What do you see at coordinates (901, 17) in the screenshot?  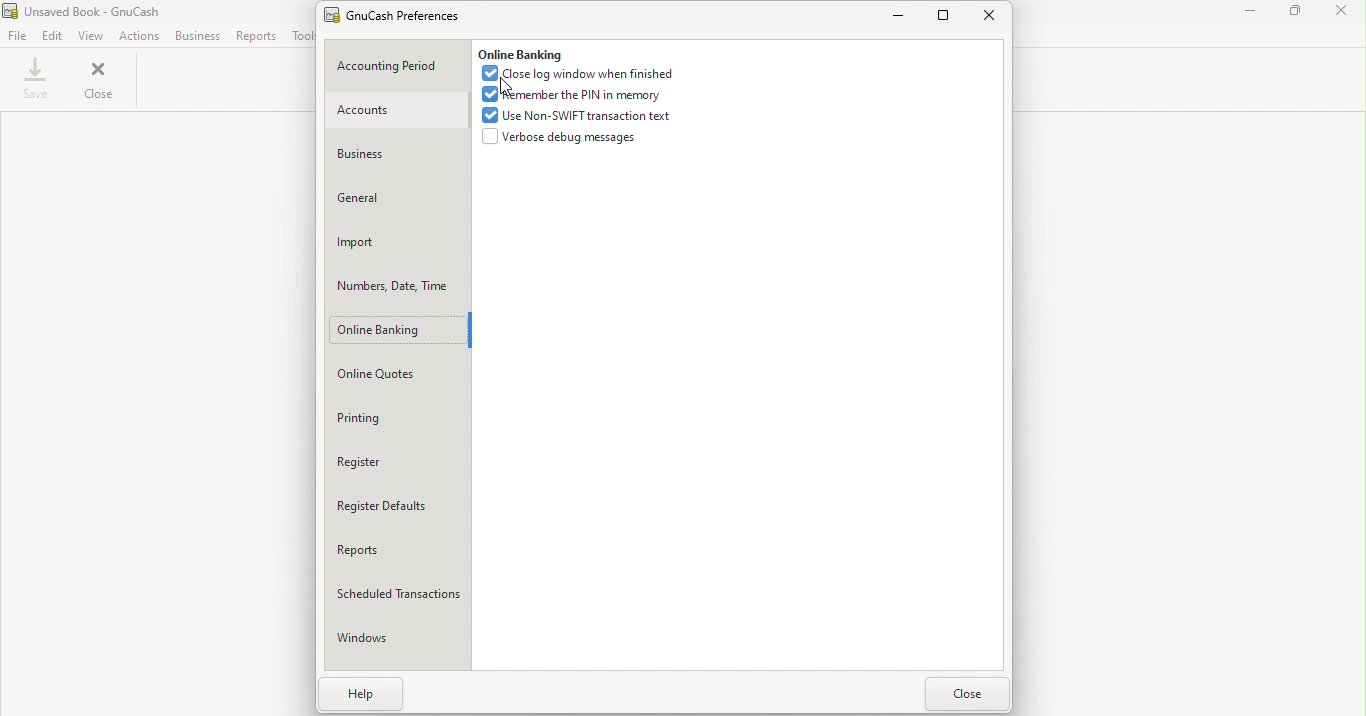 I see `Minimize` at bounding box center [901, 17].